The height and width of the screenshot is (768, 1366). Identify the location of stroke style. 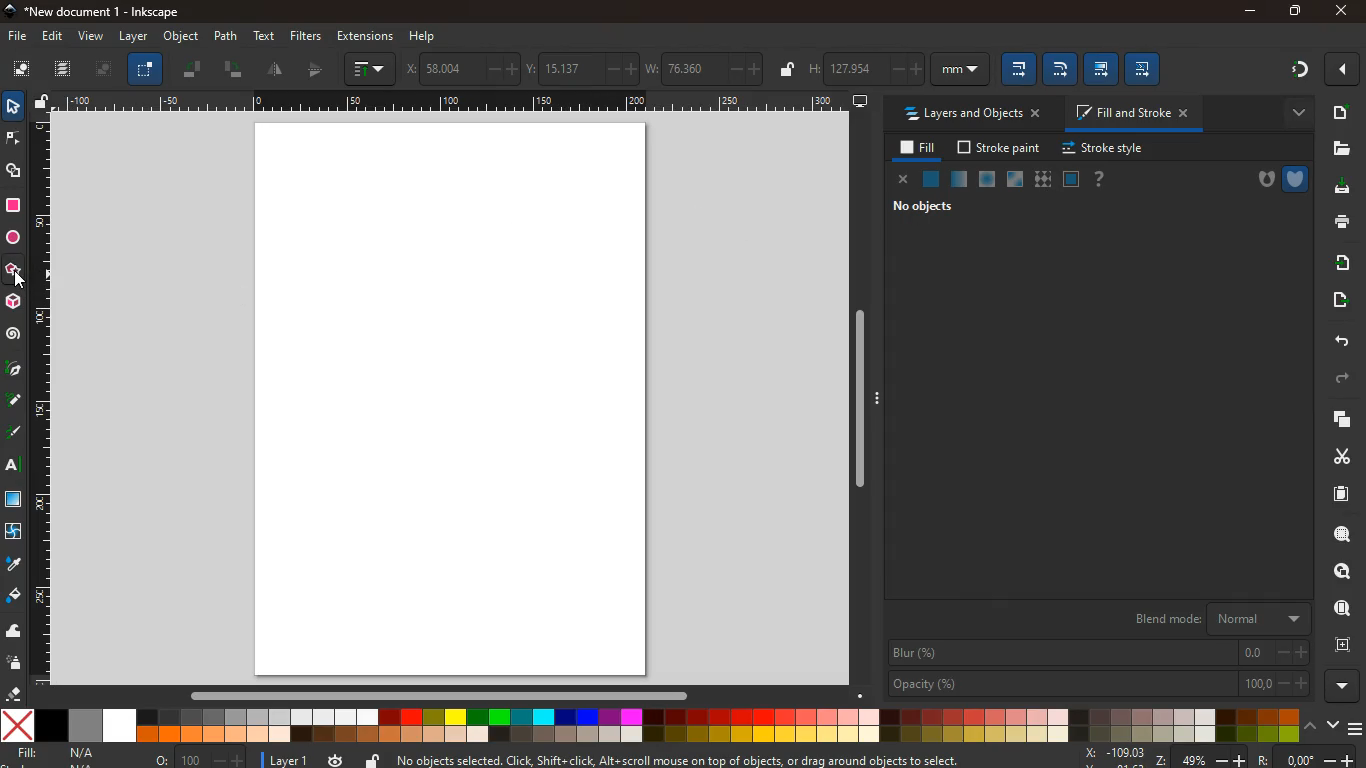
(1106, 149).